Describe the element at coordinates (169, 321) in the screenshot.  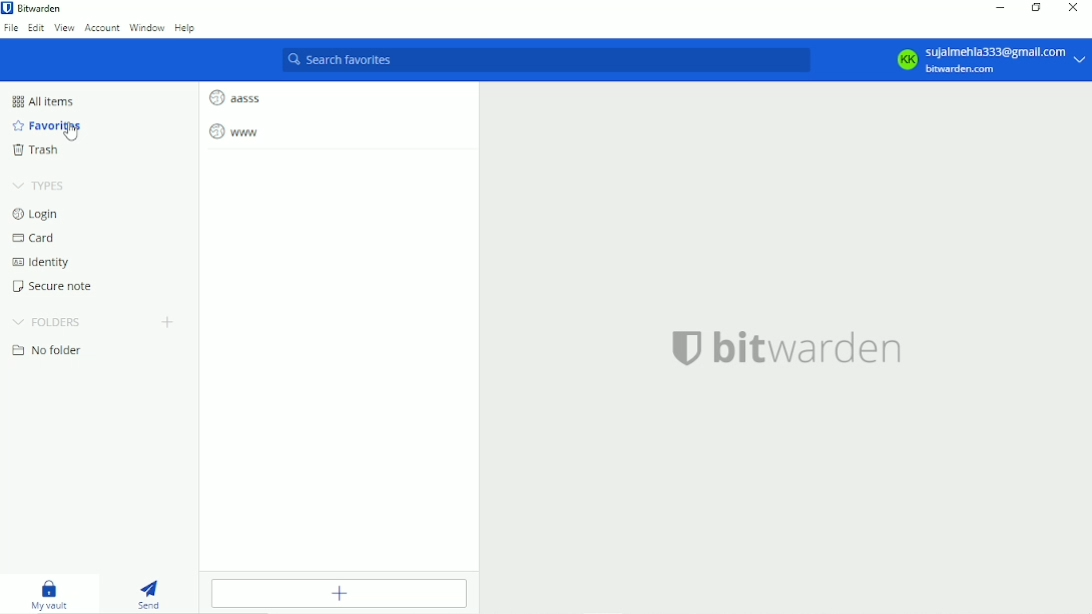
I see `Create folder` at that location.